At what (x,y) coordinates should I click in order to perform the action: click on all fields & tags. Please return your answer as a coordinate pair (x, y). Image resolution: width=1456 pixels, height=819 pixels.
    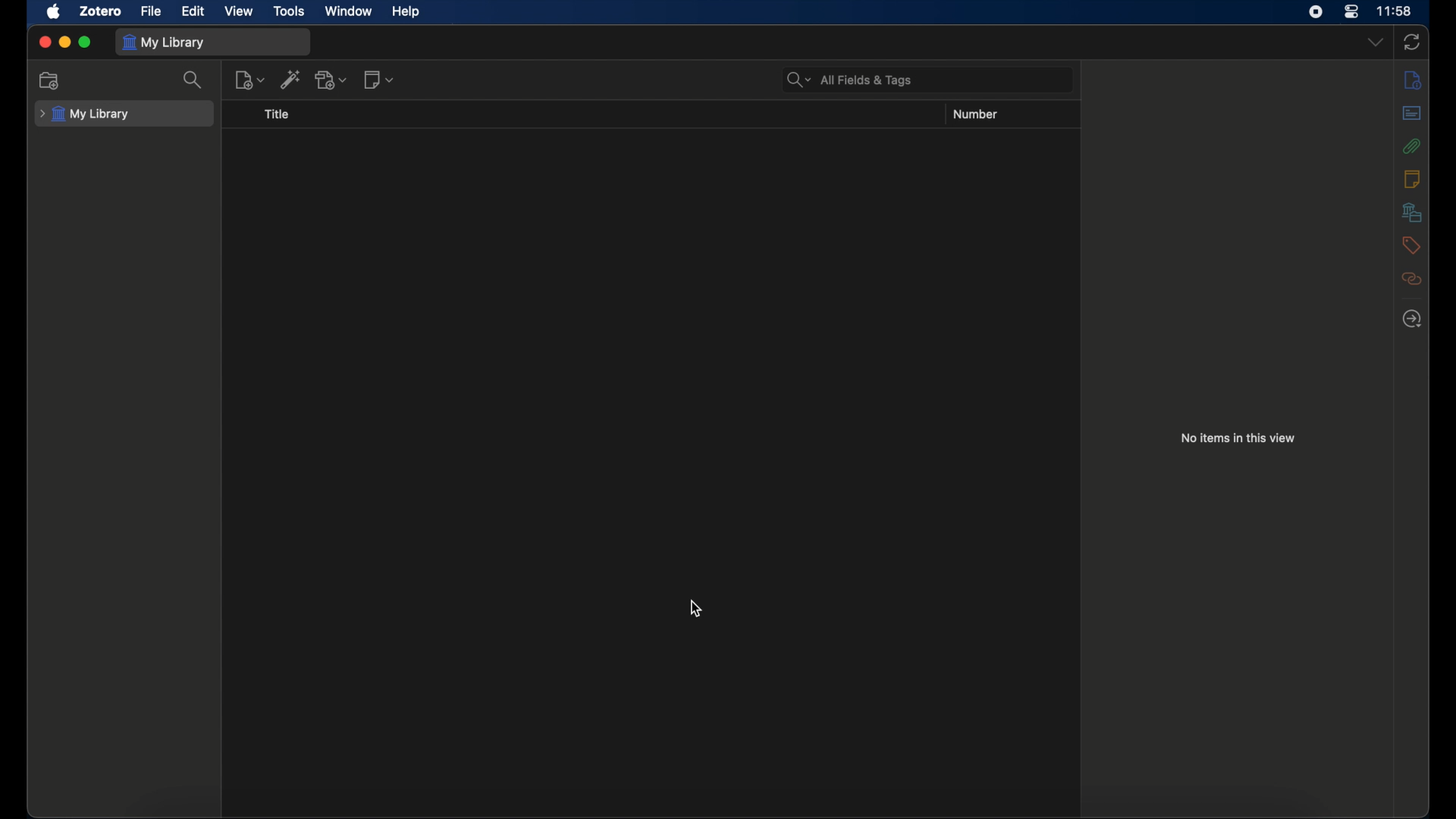
    Looking at the image, I should click on (851, 80).